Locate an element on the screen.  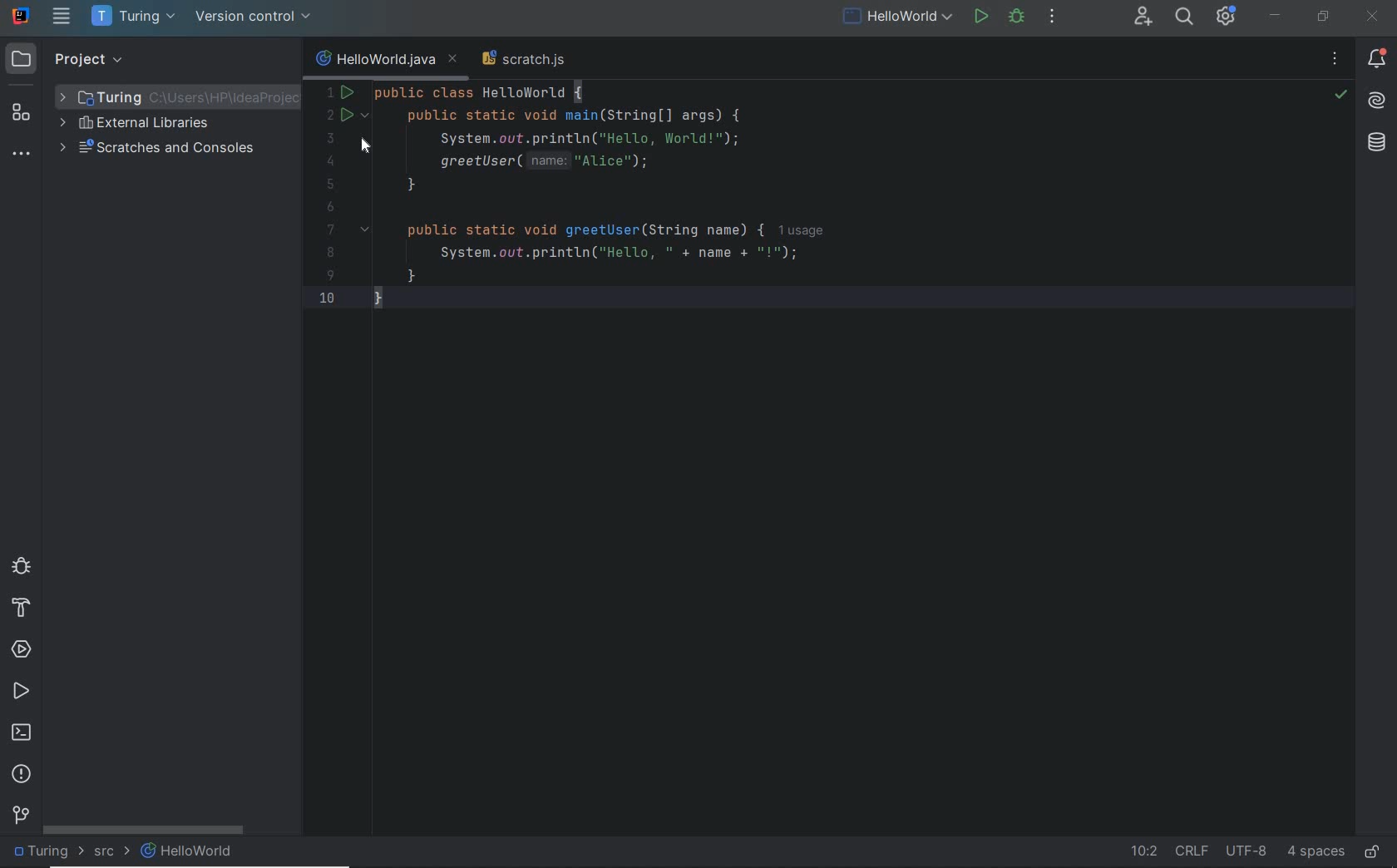
no problems highlighted is located at coordinates (1343, 95).